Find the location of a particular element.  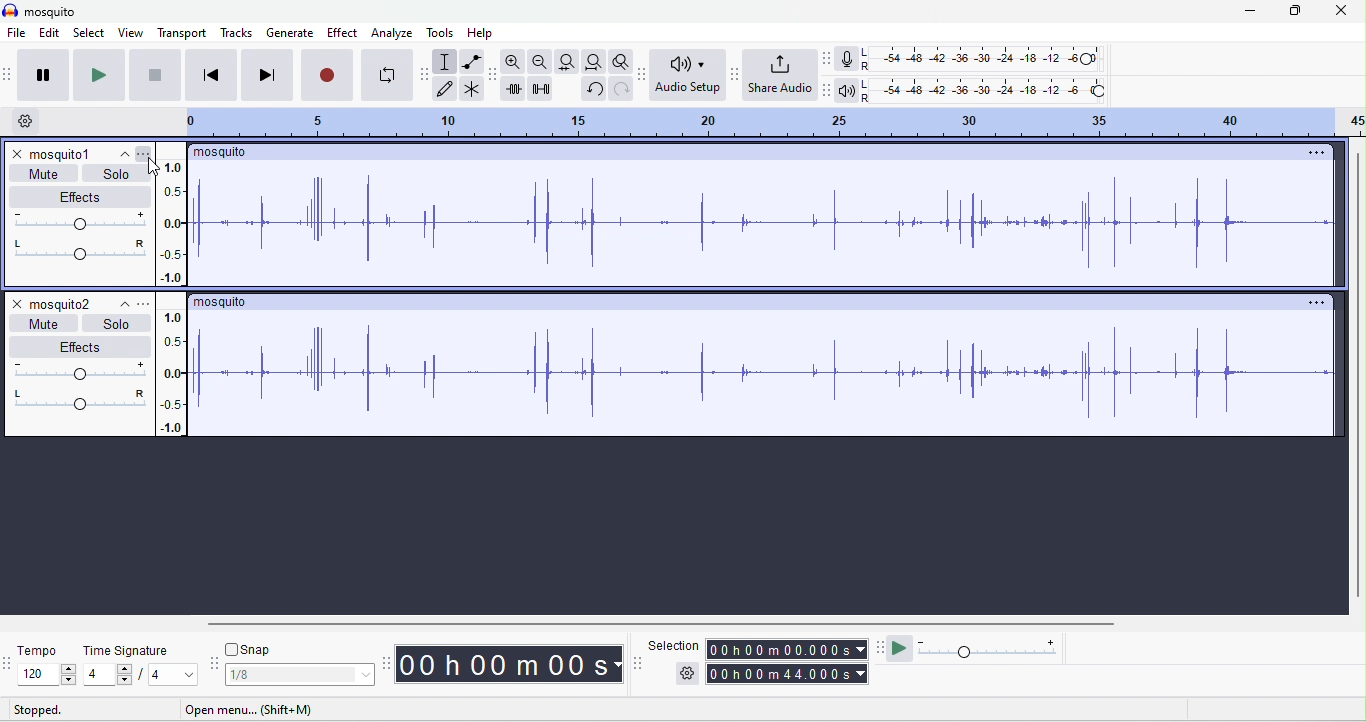

total time is located at coordinates (789, 675).